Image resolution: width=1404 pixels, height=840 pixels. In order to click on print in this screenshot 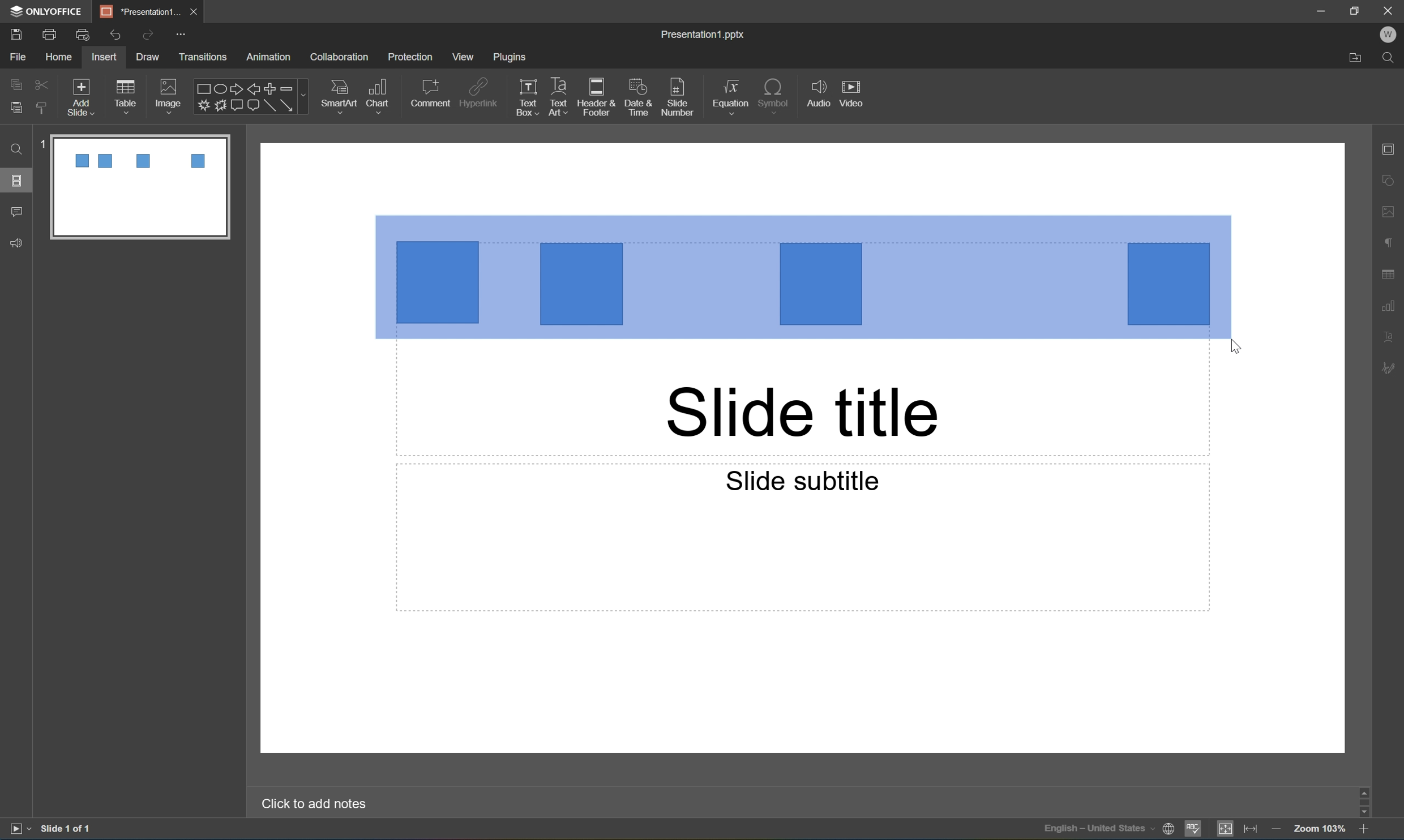, I will do `click(48, 33)`.